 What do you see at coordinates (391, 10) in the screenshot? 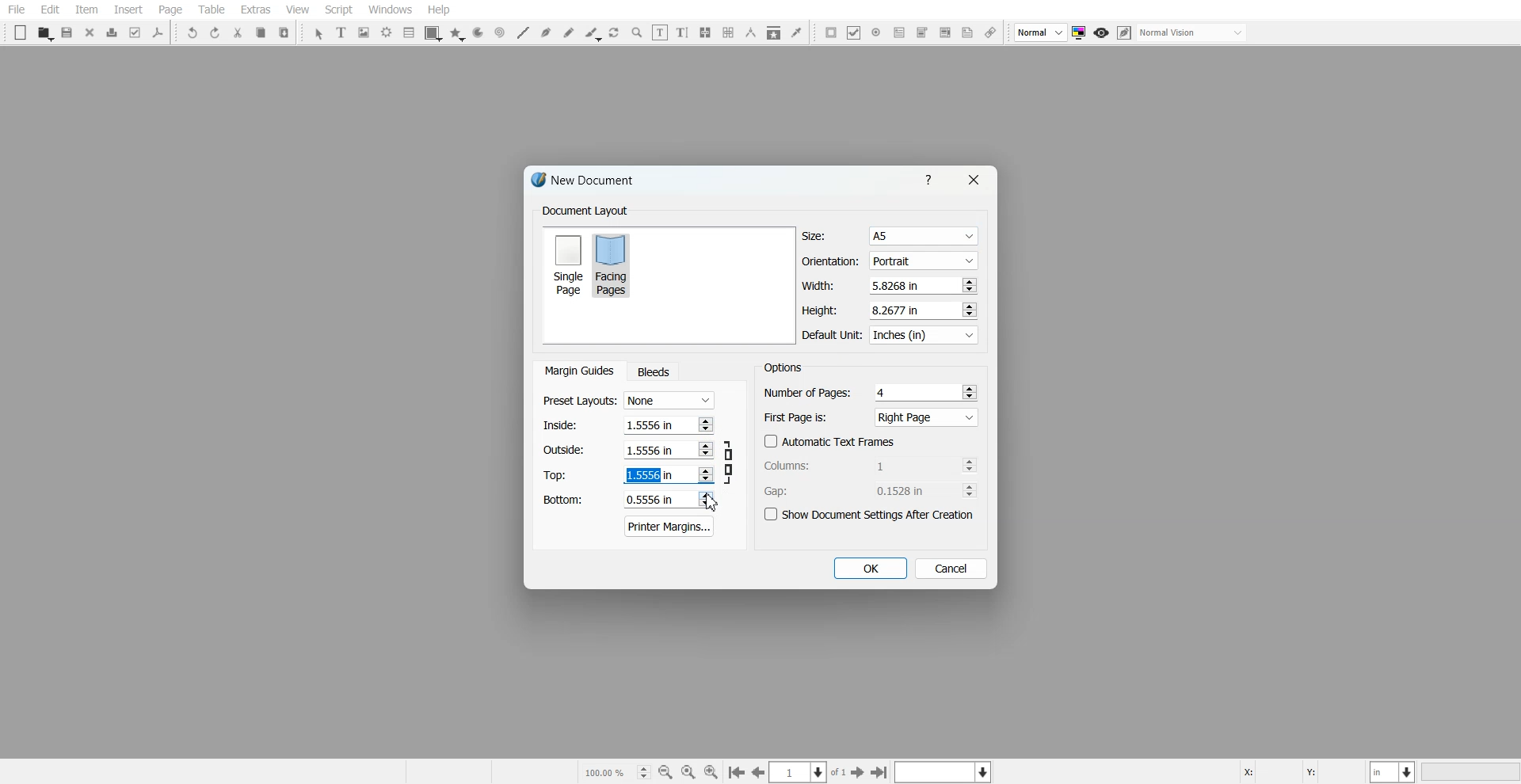
I see `Windows` at bounding box center [391, 10].